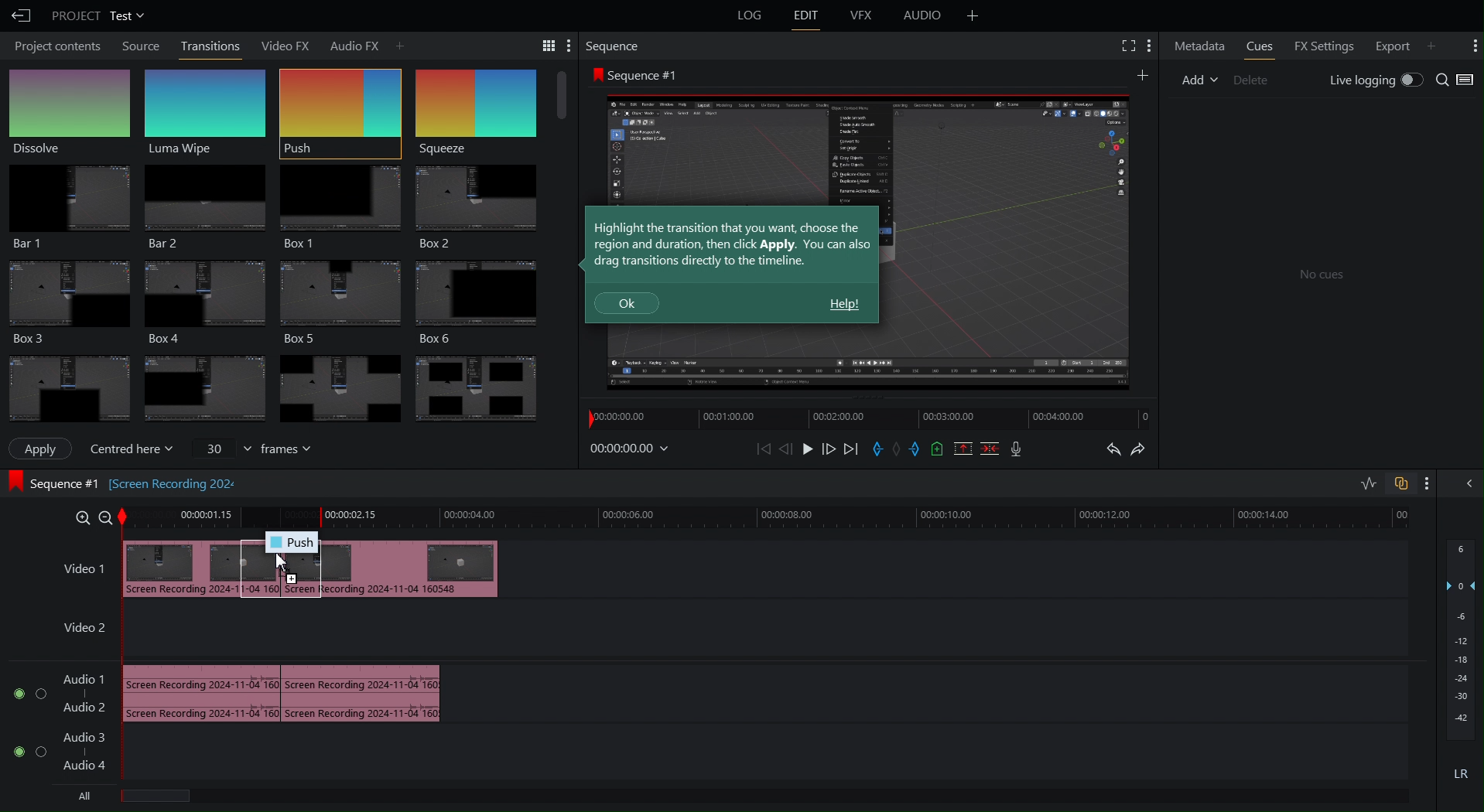 This screenshot has width=1484, height=812. What do you see at coordinates (40, 697) in the screenshot?
I see `toggl` at bounding box center [40, 697].